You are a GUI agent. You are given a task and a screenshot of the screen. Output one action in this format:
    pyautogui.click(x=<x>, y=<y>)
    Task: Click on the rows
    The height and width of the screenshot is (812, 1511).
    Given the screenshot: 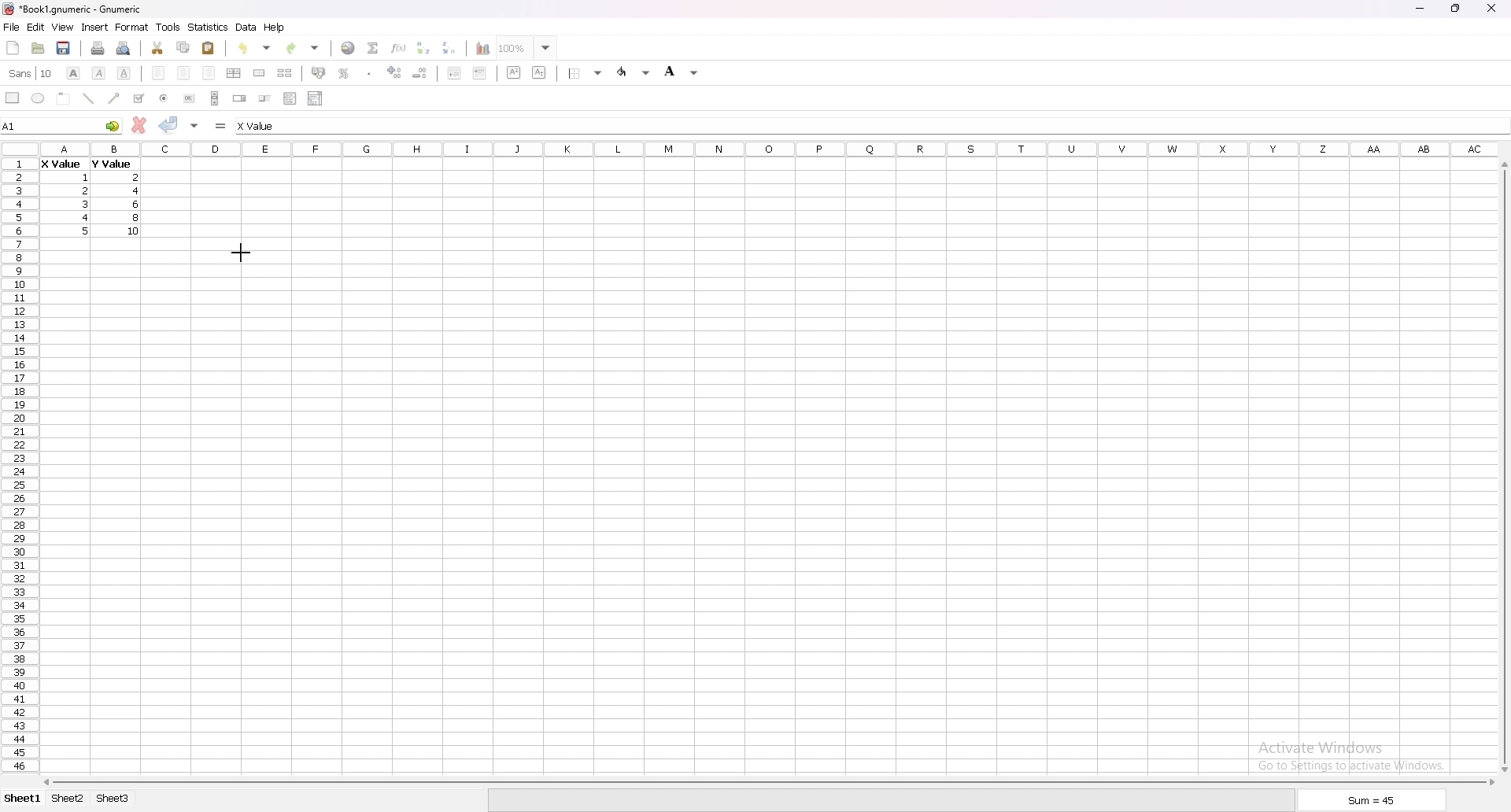 What is the action you would take?
    pyautogui.click(x=17, y=463)
    